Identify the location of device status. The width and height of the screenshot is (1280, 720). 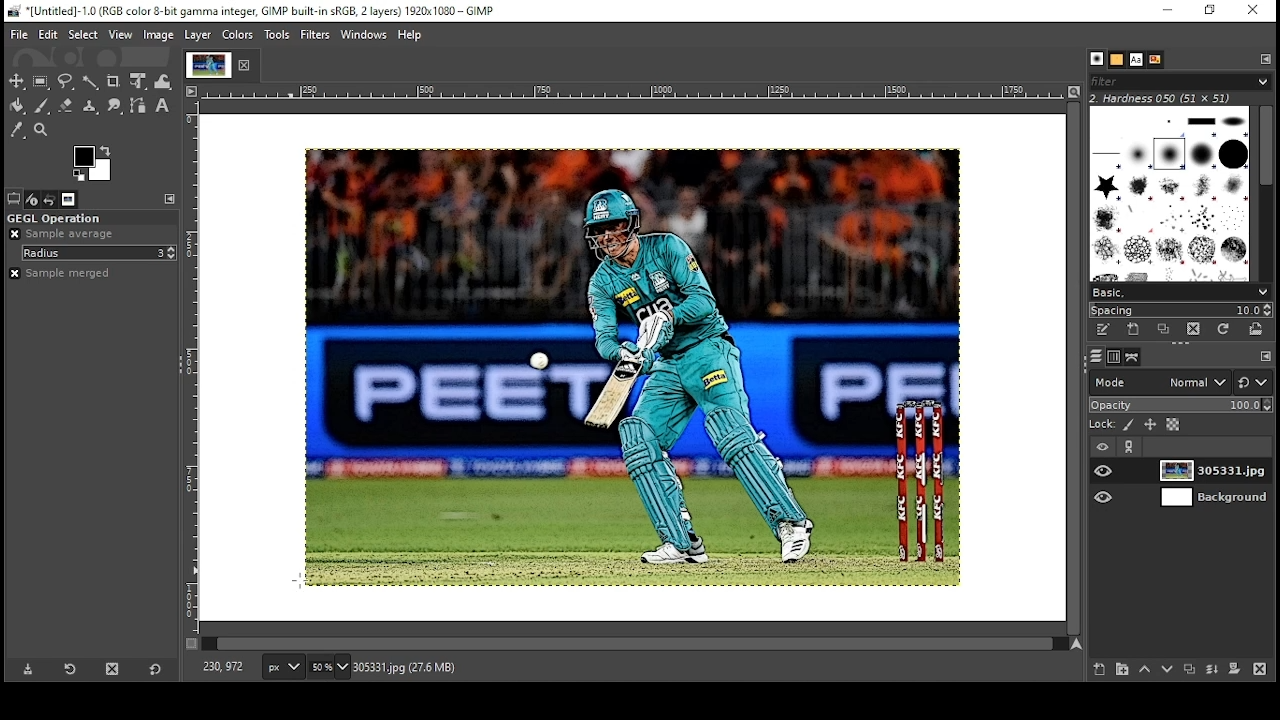
(32, 199).